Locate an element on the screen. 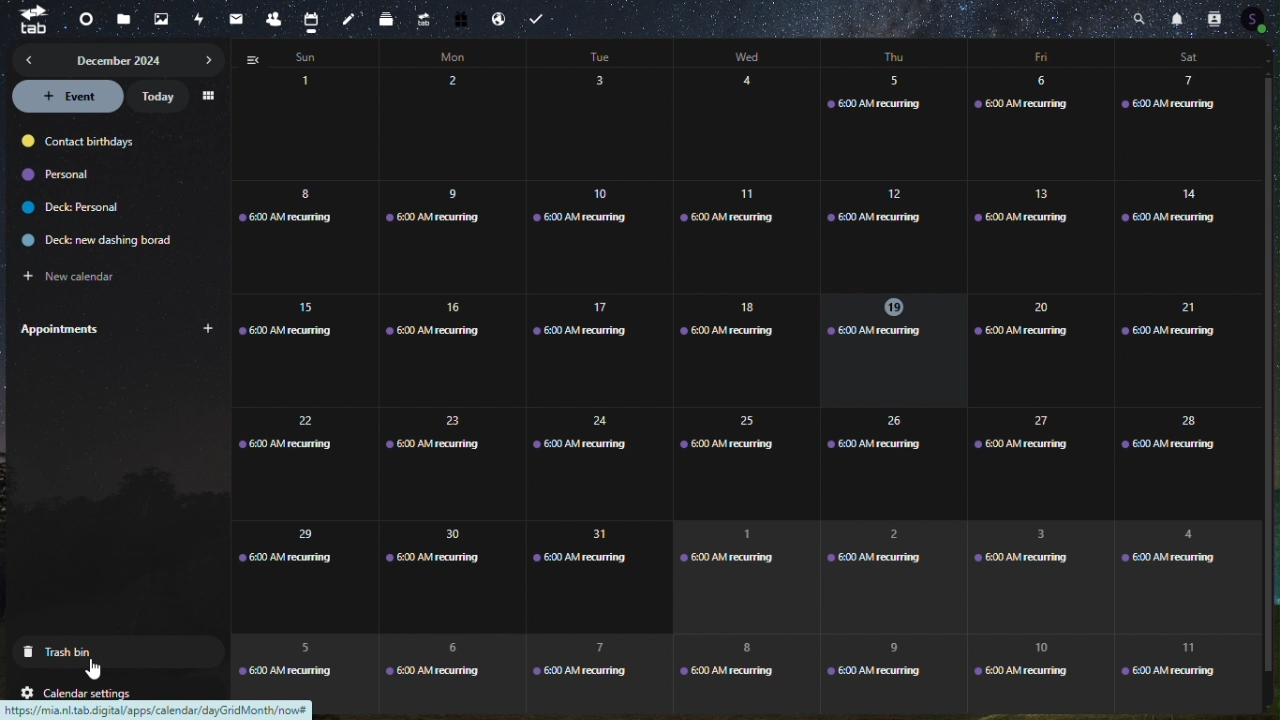 The image size is (1280, 720). 11 is located at coordinates (742, 240).